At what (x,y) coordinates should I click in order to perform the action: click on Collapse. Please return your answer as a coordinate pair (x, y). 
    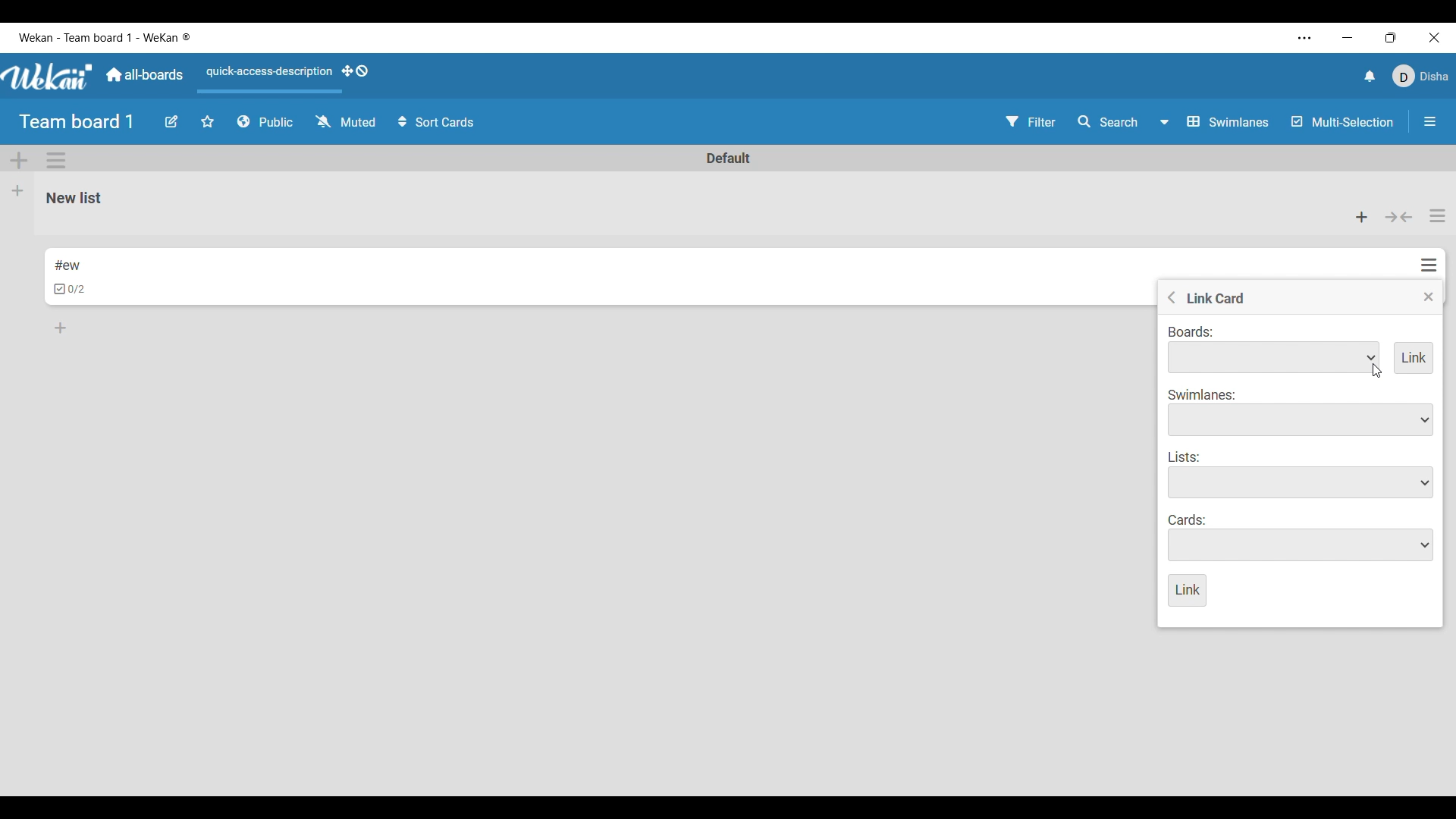
    Looking at the image, I should click on (1398, 218).